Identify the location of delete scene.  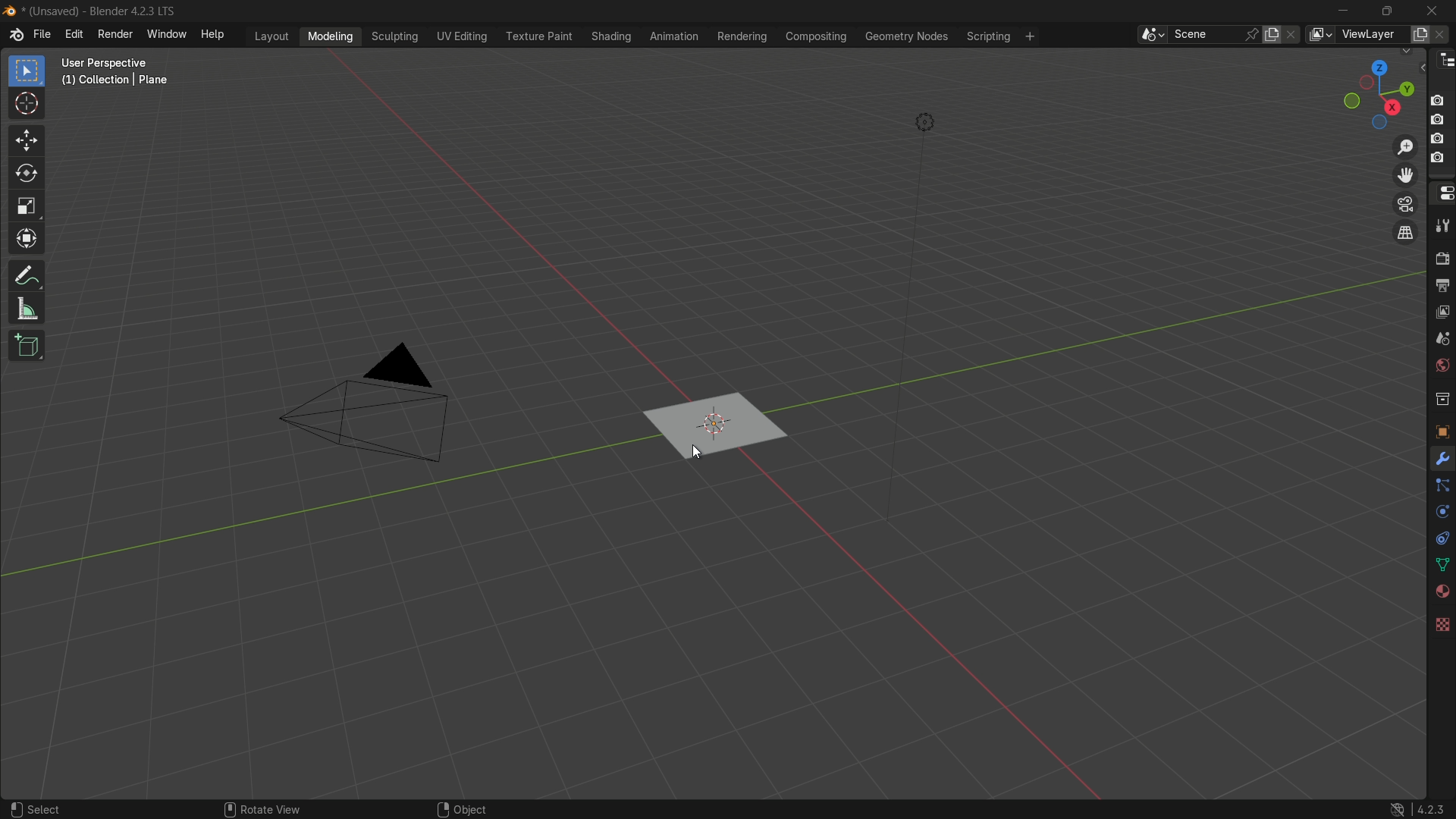
(1294, 36).